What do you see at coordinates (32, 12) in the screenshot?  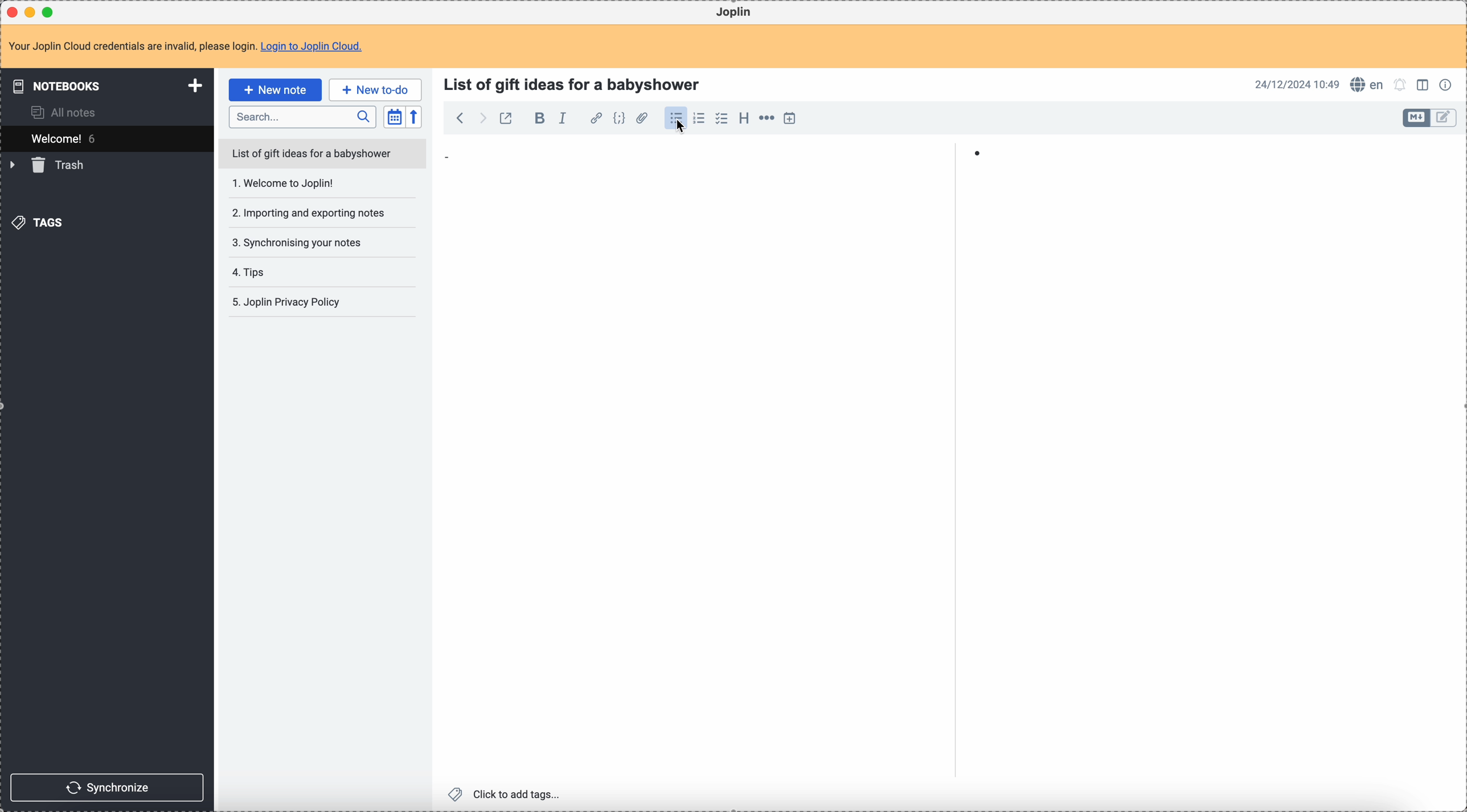 I see `minimize Joplin` at bounding box center [32, 12].